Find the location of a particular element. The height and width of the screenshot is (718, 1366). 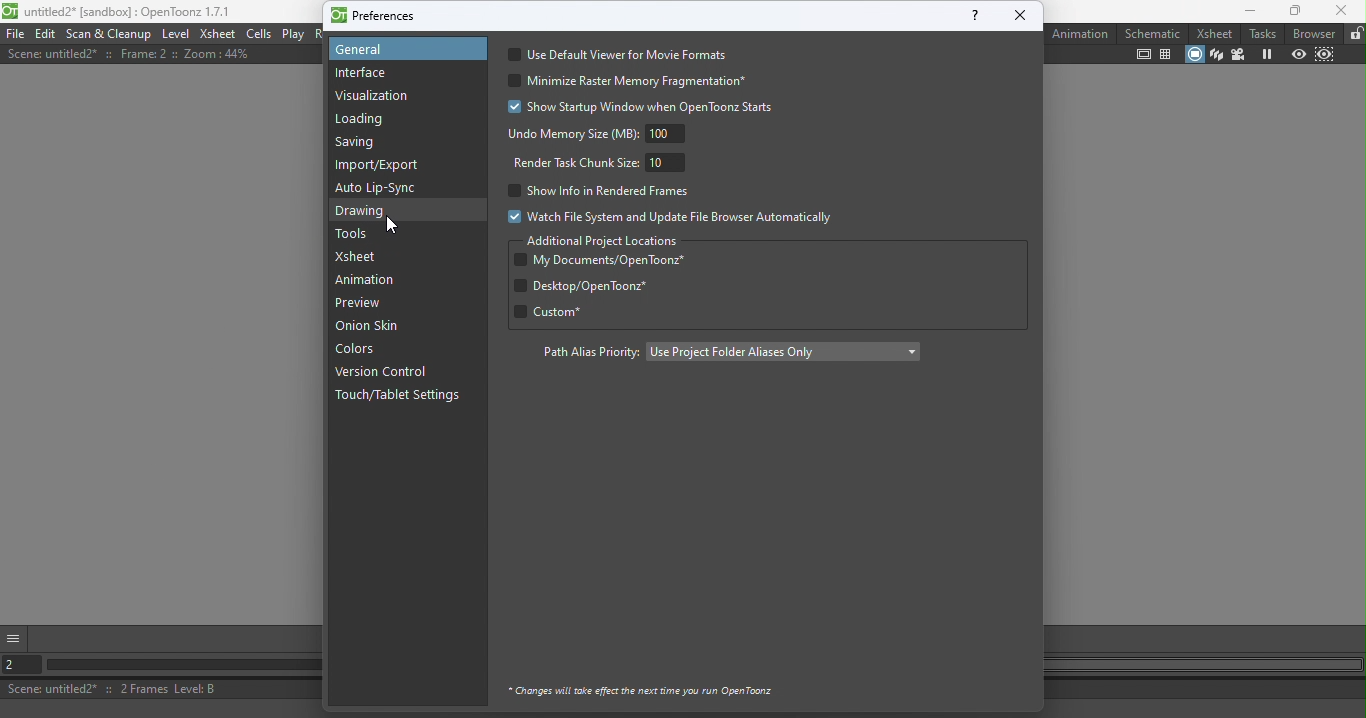

colors is located at coordinates (361, 351).